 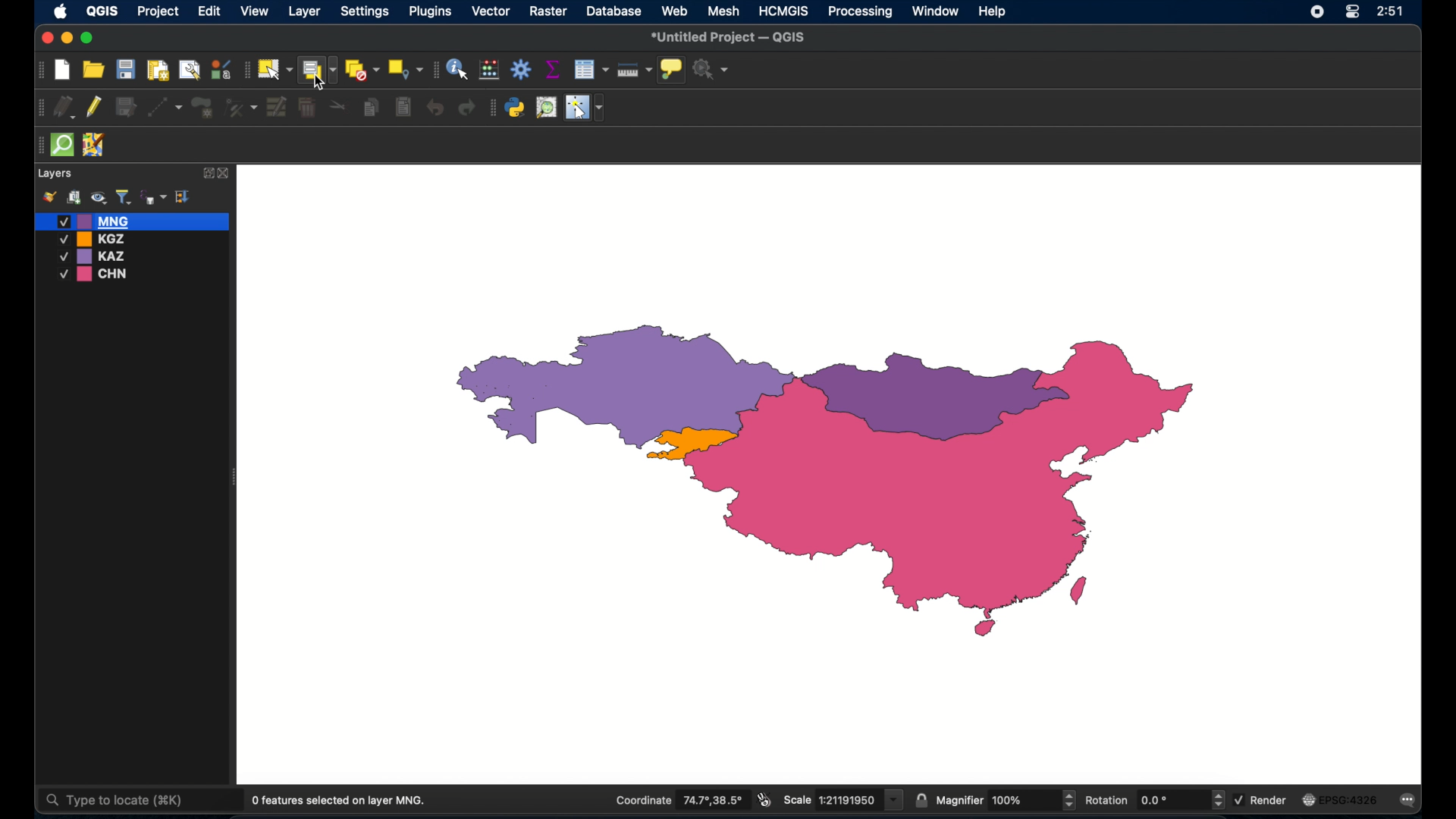 What do you see at coordinates (403, 107) in the screenshot?
I see `delete selected` at bounding box center [403, 107].